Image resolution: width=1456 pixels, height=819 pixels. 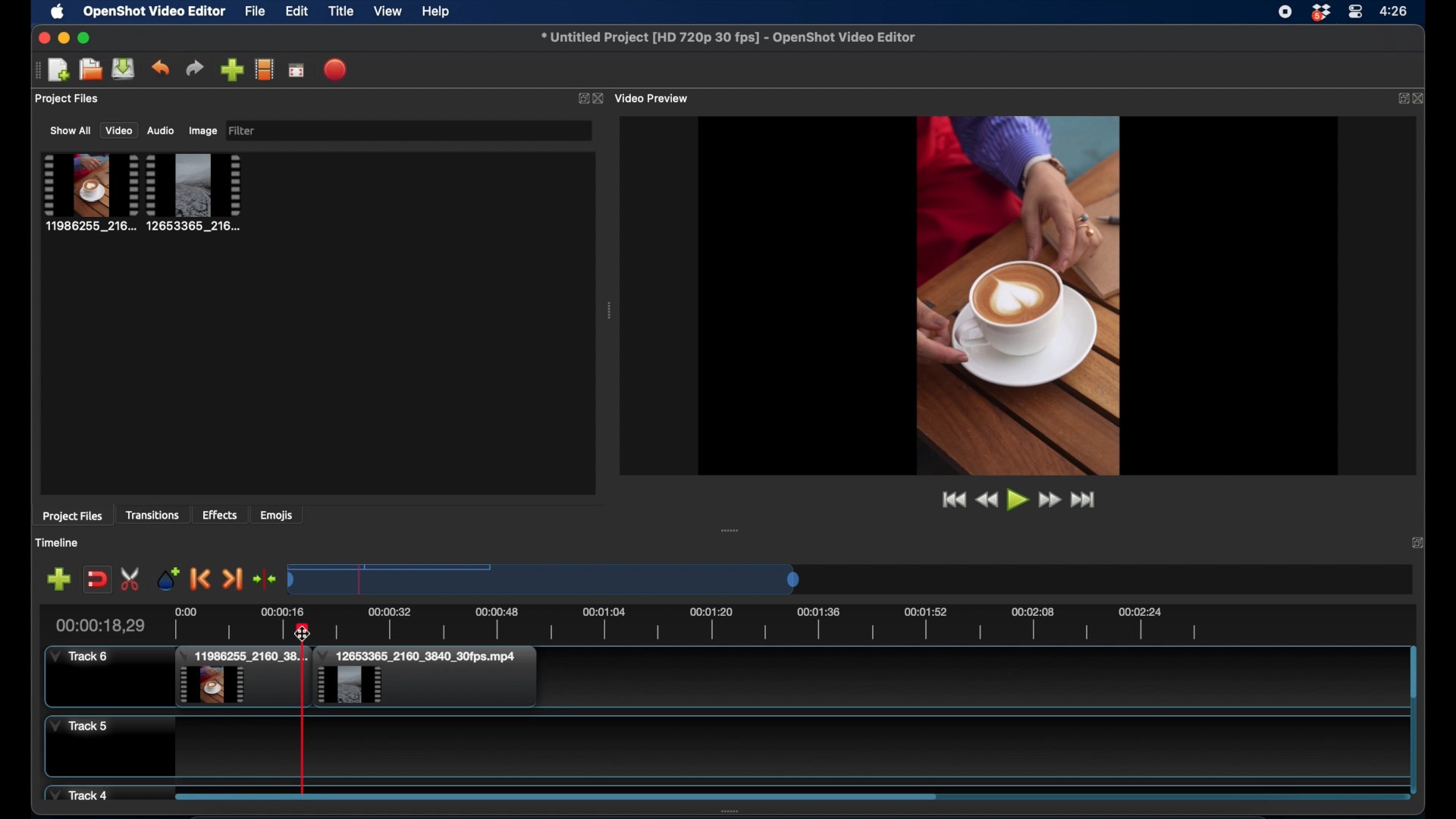 What do you see at coordinates (70, 130) in the screenshot?
I see `show all` at bounding box center [70, 130].